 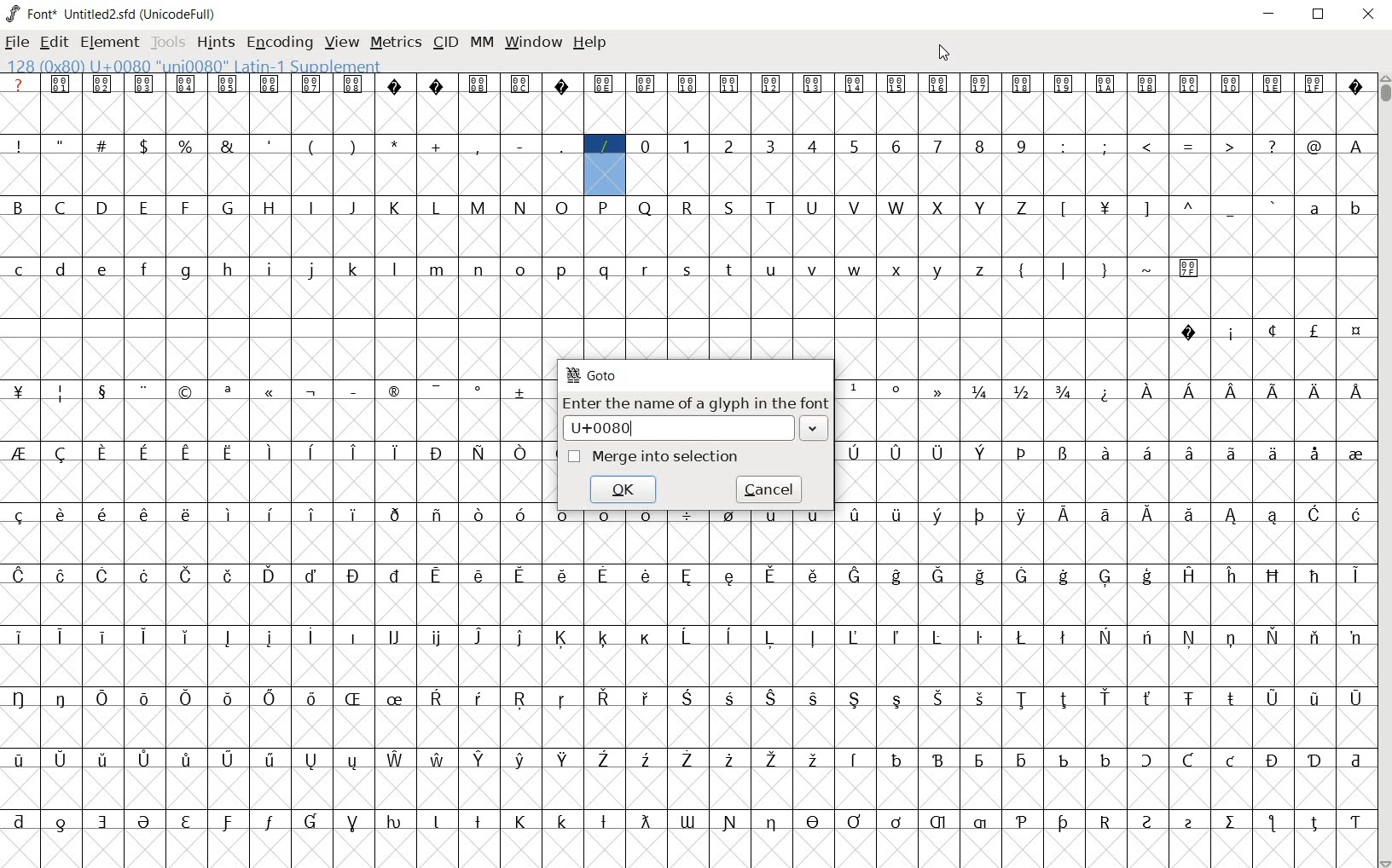 I want to click on glyph, so click(x=1064, y=209).